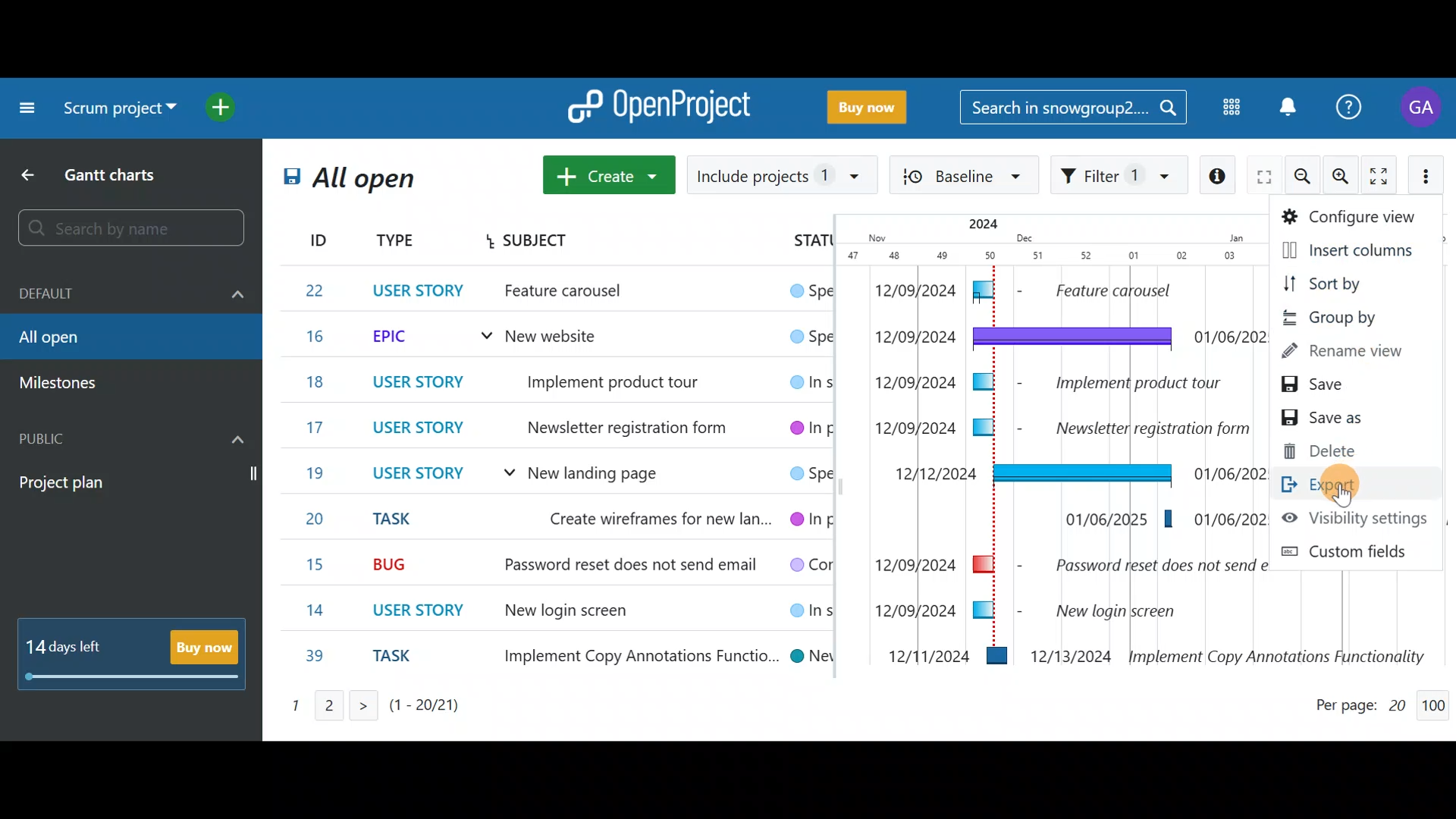 The height and width of the screenshot is (819, 1456). What do you see at coordinates (965, 177) in the screenshot?
I see `Filter baseline` at bounding box center [965, 177].